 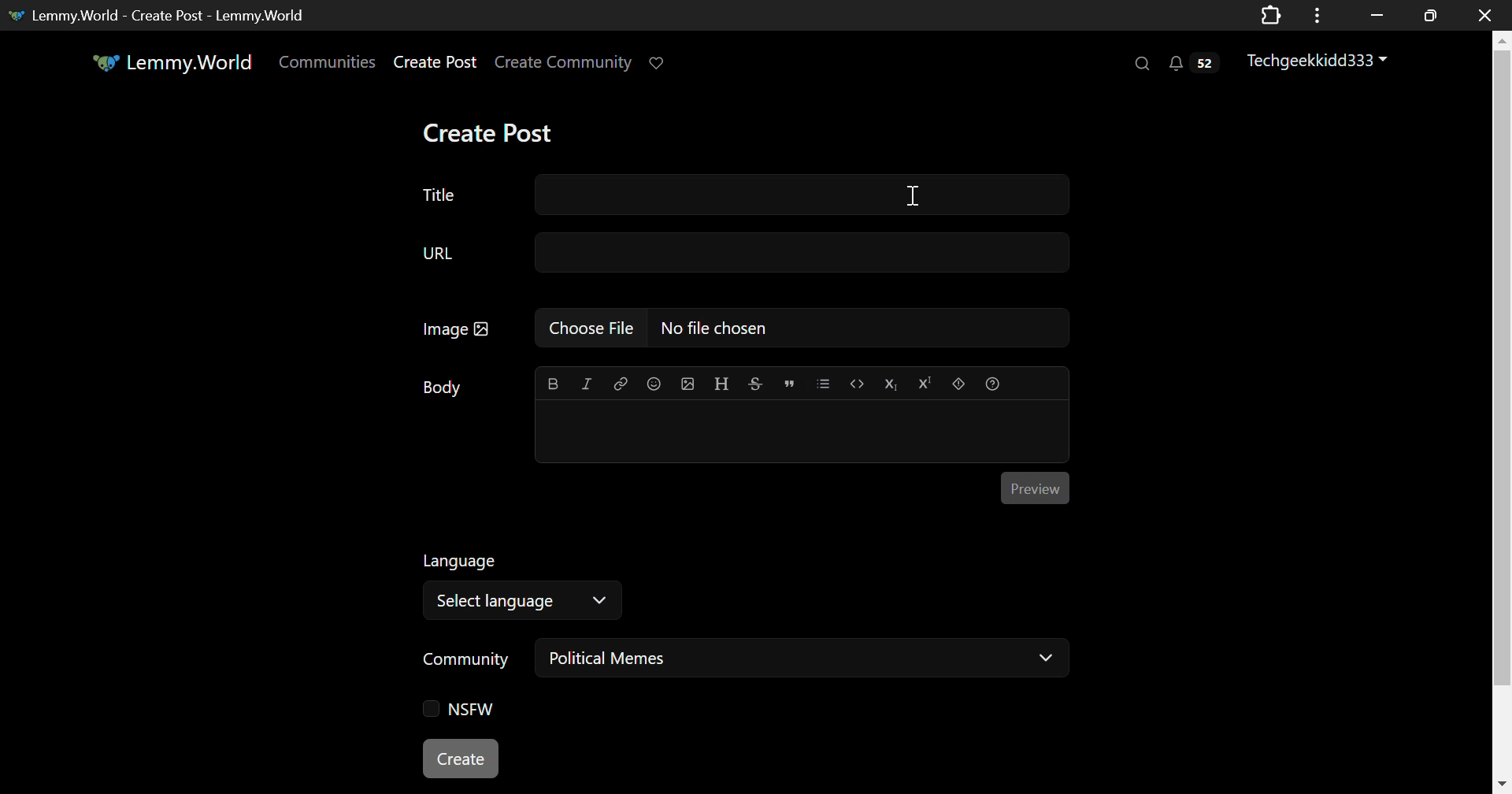 I want to click on Formatting Help, so click(x=991, y=384).